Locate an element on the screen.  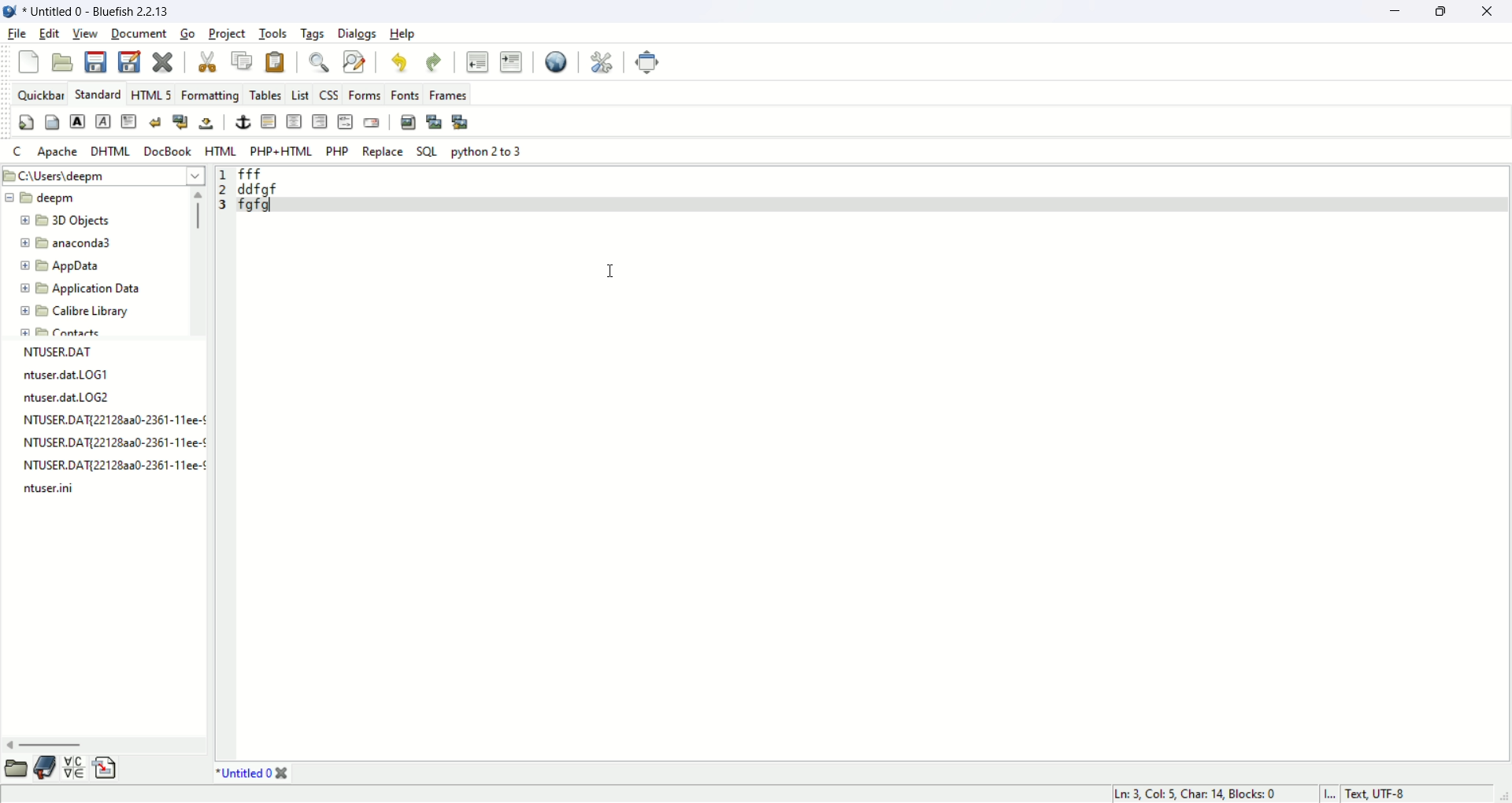
project is located at coordinates (225, 32).